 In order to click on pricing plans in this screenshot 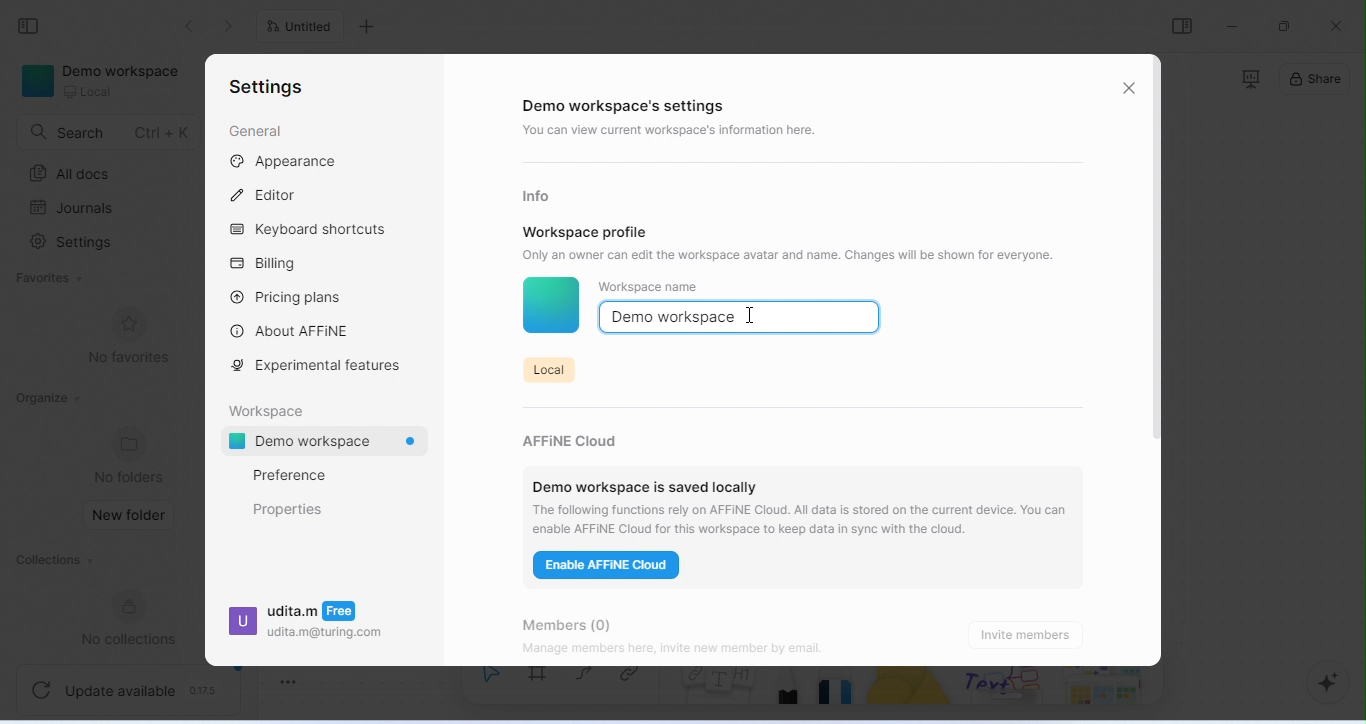, I will do `click(287, 296)`.